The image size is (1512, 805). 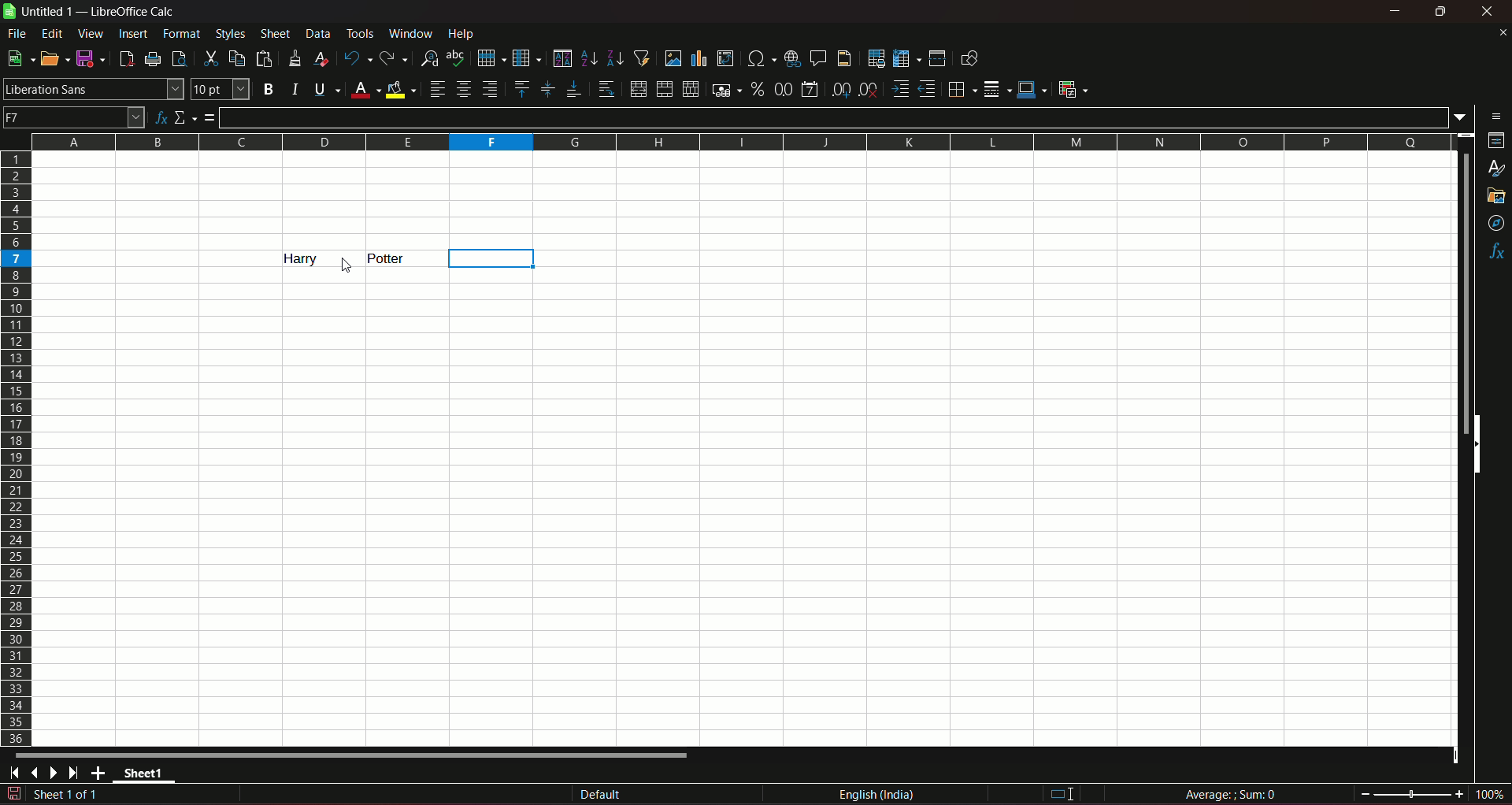 I want to click on sheet sequence, so click(x=67, y=796).